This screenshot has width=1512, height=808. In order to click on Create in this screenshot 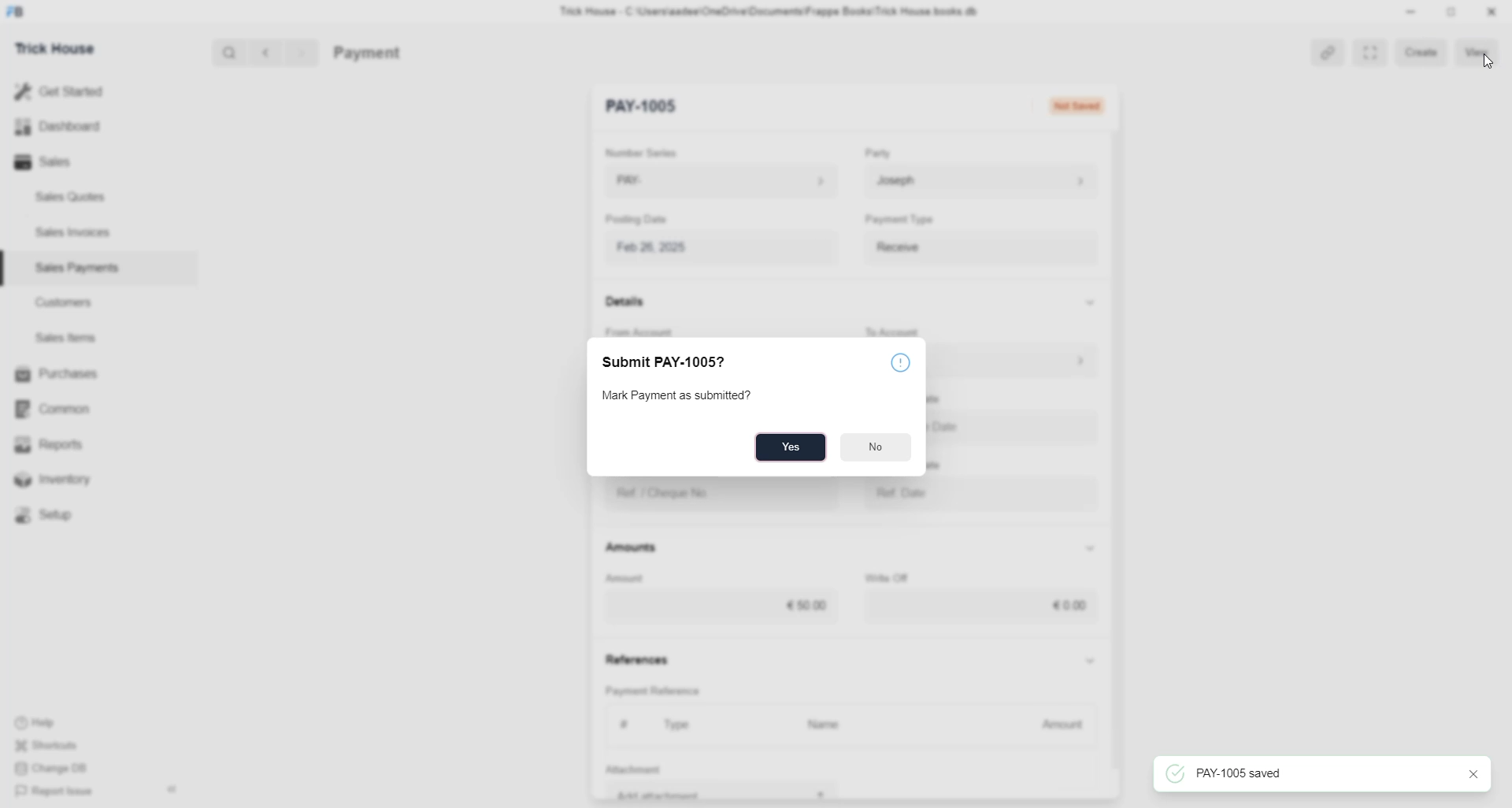, I will do `click(1421, 53)`.